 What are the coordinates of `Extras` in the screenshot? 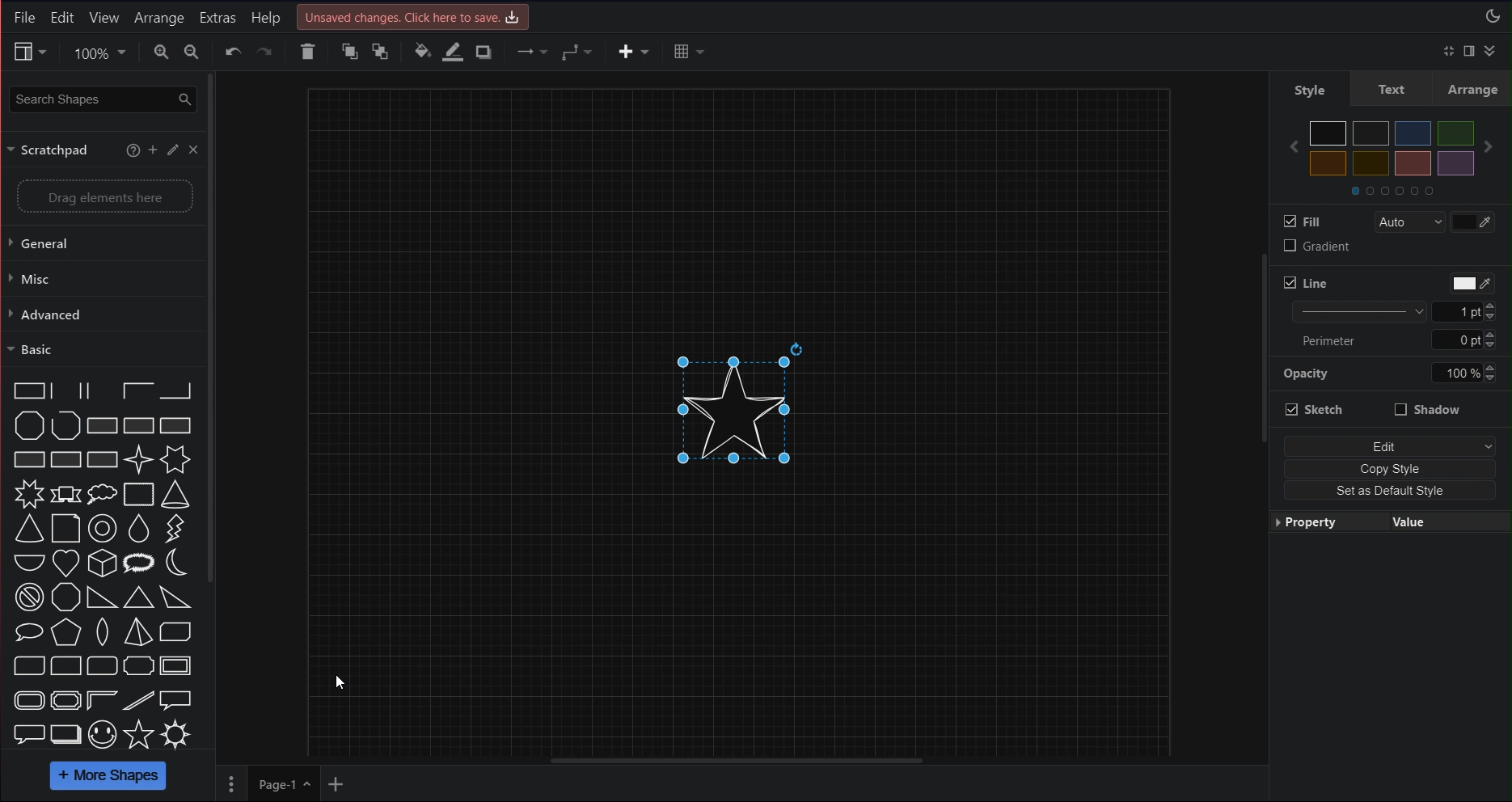 It's located at (219, 18).